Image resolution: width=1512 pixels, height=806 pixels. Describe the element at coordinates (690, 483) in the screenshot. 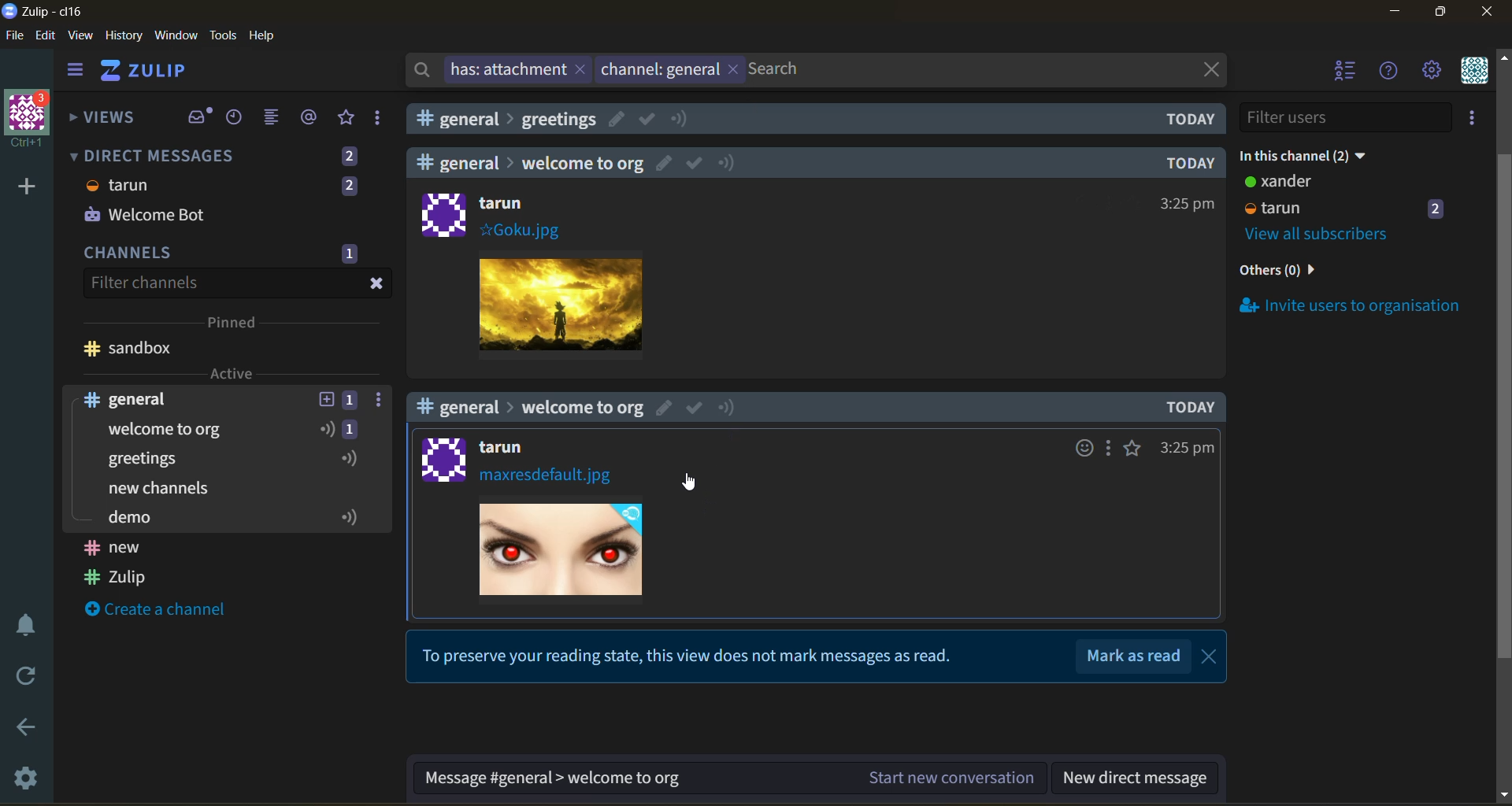

I see `cursor` at that location.